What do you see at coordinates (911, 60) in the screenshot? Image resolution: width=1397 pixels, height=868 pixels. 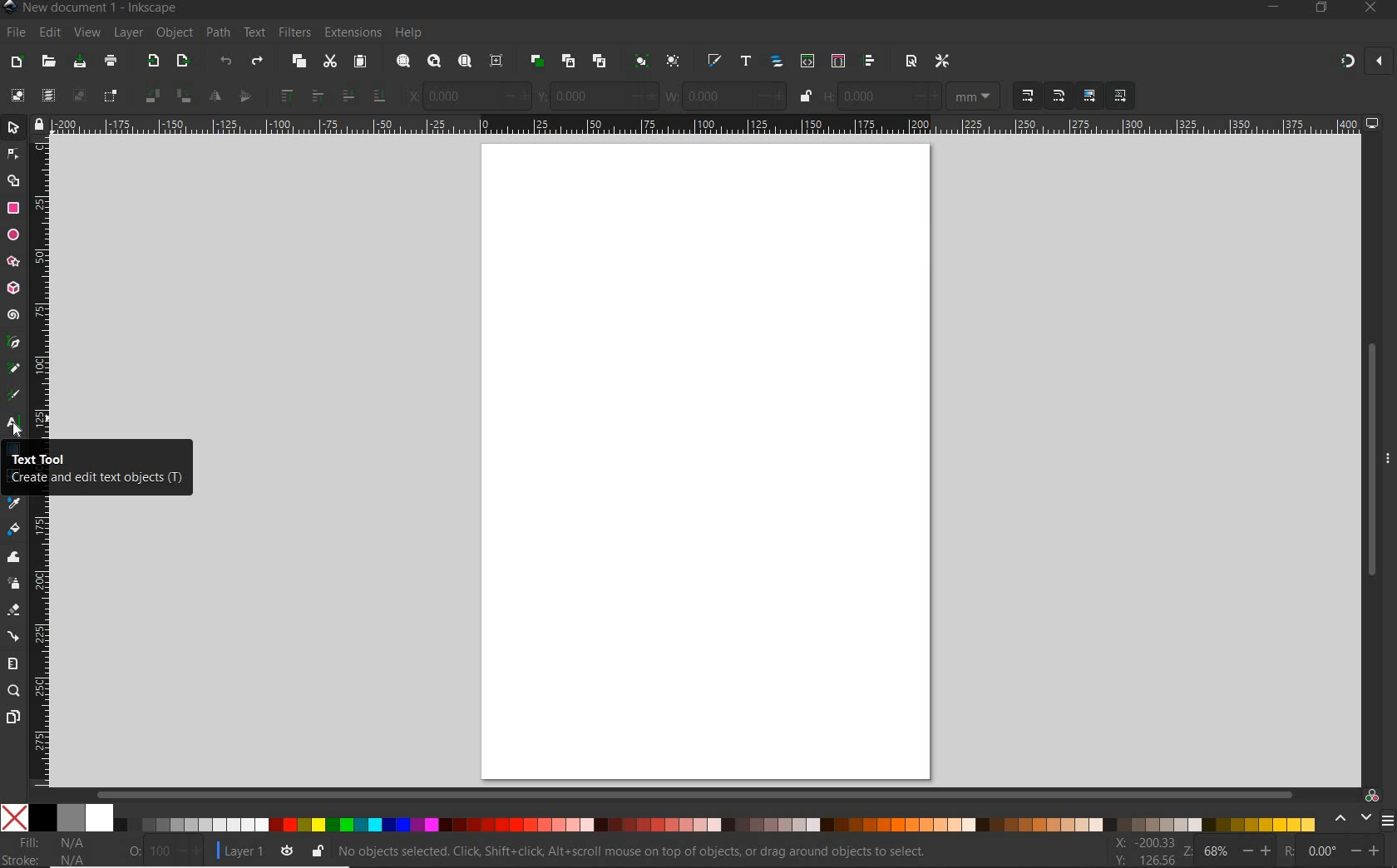 I see `open document properties` at bounding box center [911, 60].